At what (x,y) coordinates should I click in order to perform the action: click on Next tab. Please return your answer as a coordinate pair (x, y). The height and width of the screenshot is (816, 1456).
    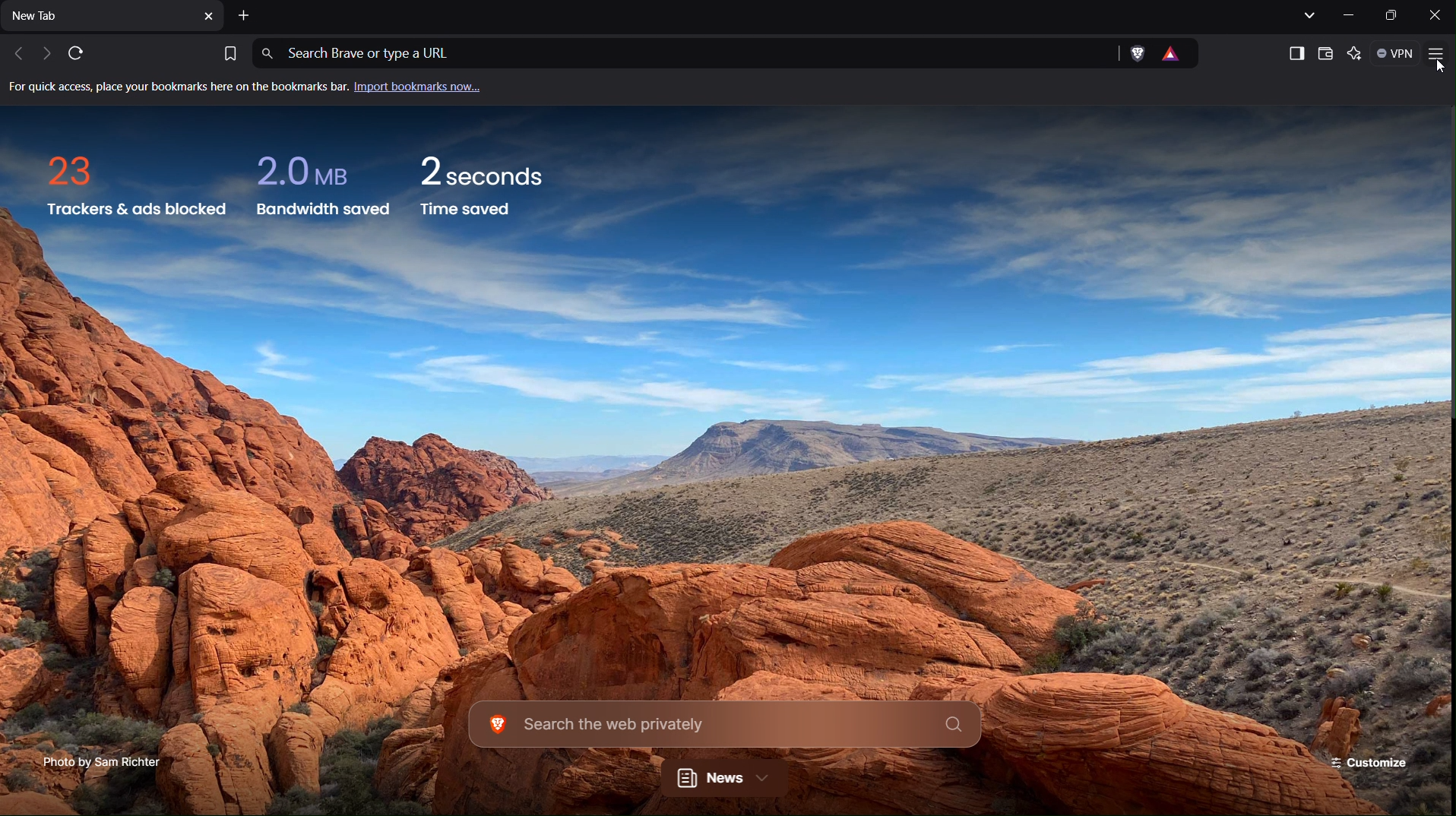
    Looking at the image, I should click on (45, 54).